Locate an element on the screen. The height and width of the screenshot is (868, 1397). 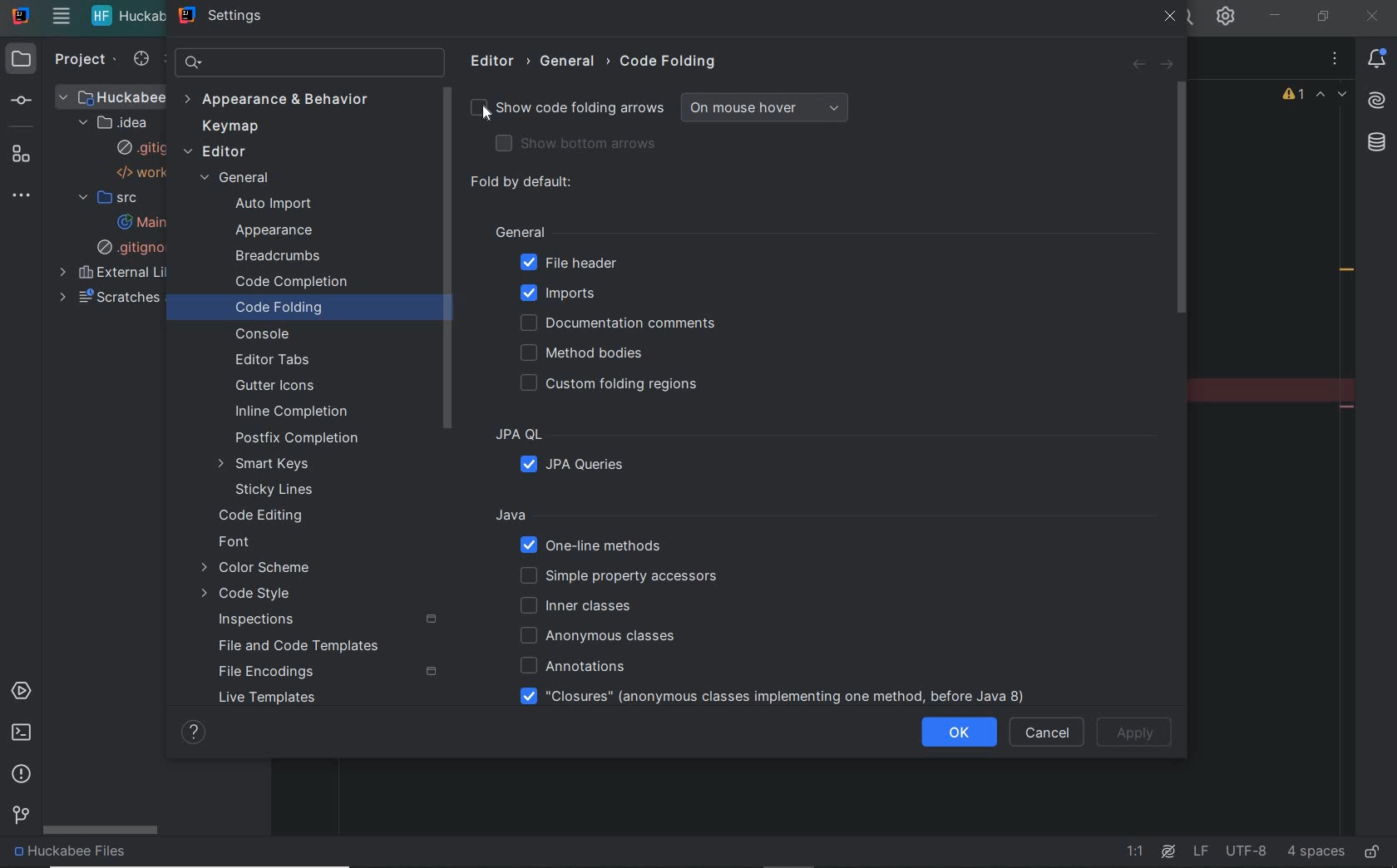
auto import is located at coordinates (274, 205).